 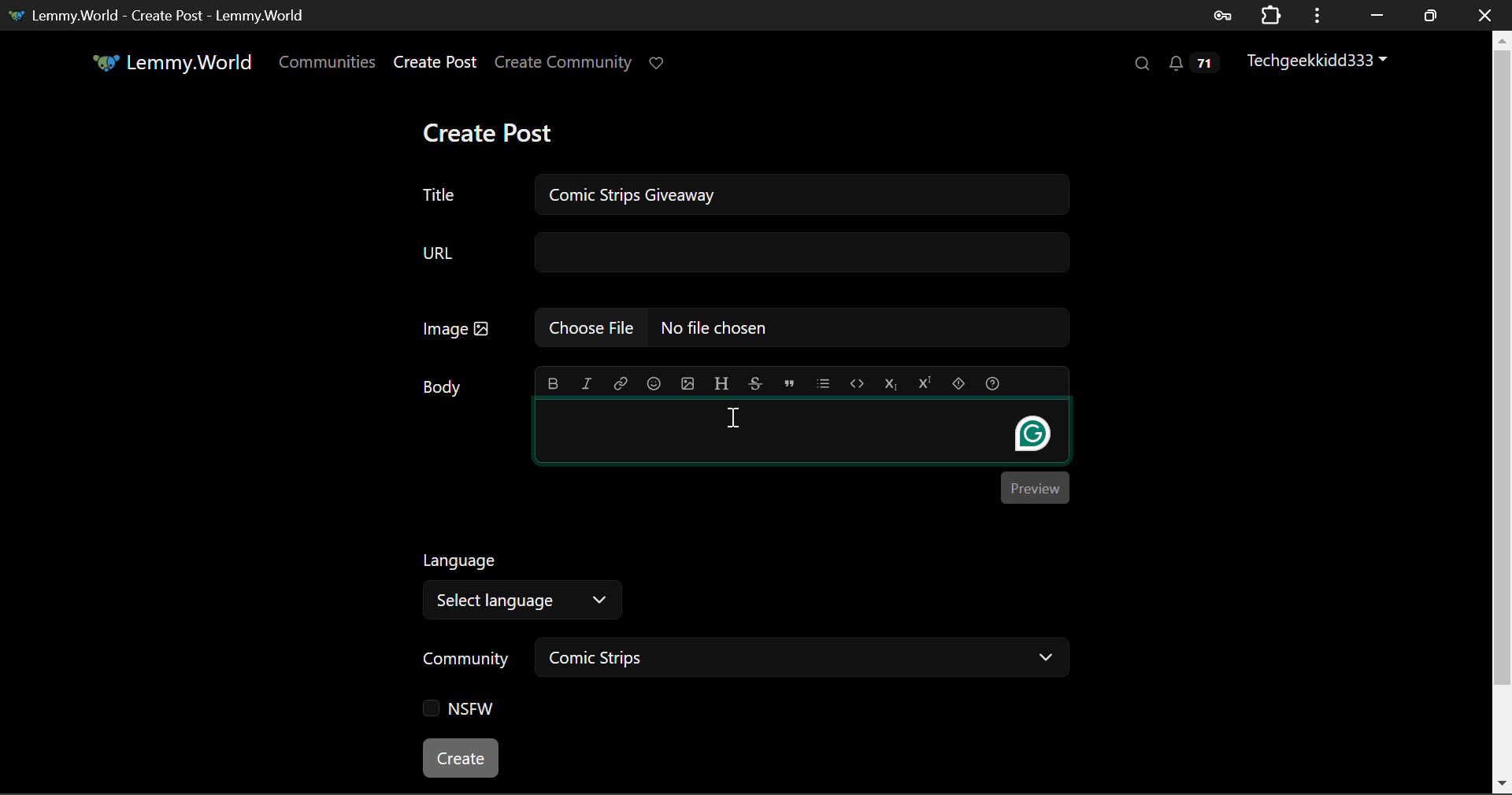 I want to click on Donate Page Link, so click(x=658, y=63).